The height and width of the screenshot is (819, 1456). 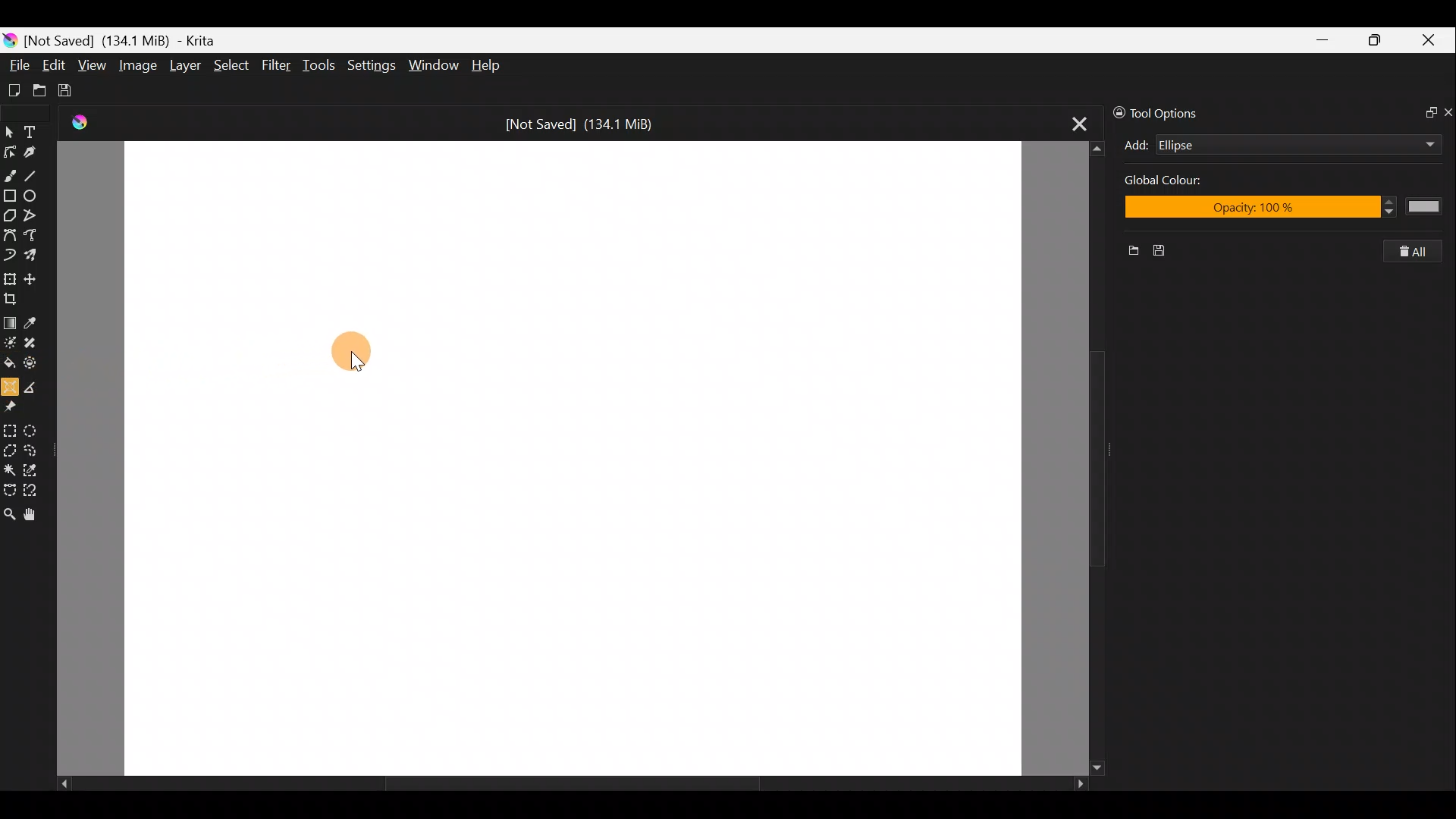 I want to click on Help, so click(x=487, y=66).